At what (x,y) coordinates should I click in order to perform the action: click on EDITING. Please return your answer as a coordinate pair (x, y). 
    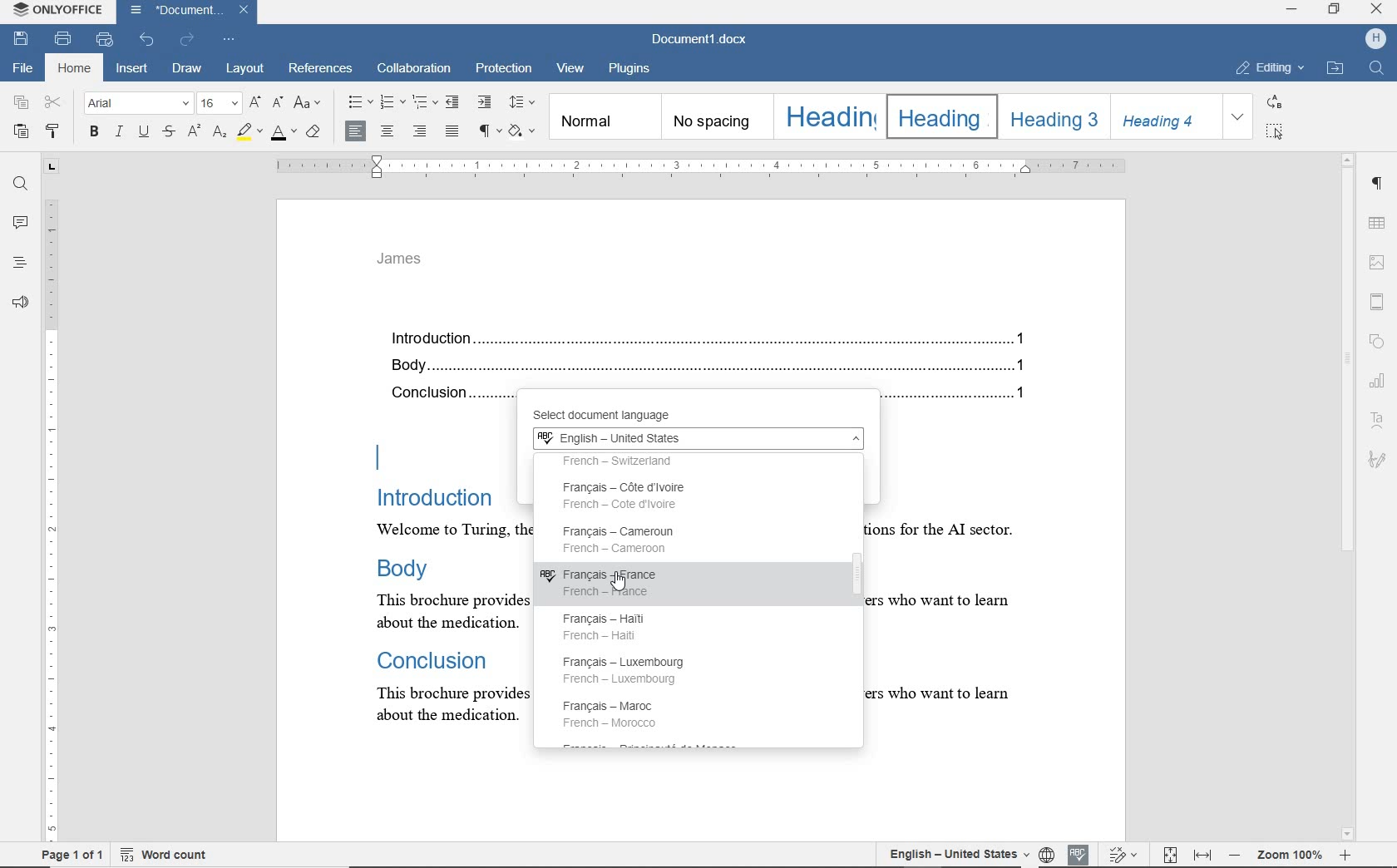
    Looking at the image, I should click on (1271, 69).